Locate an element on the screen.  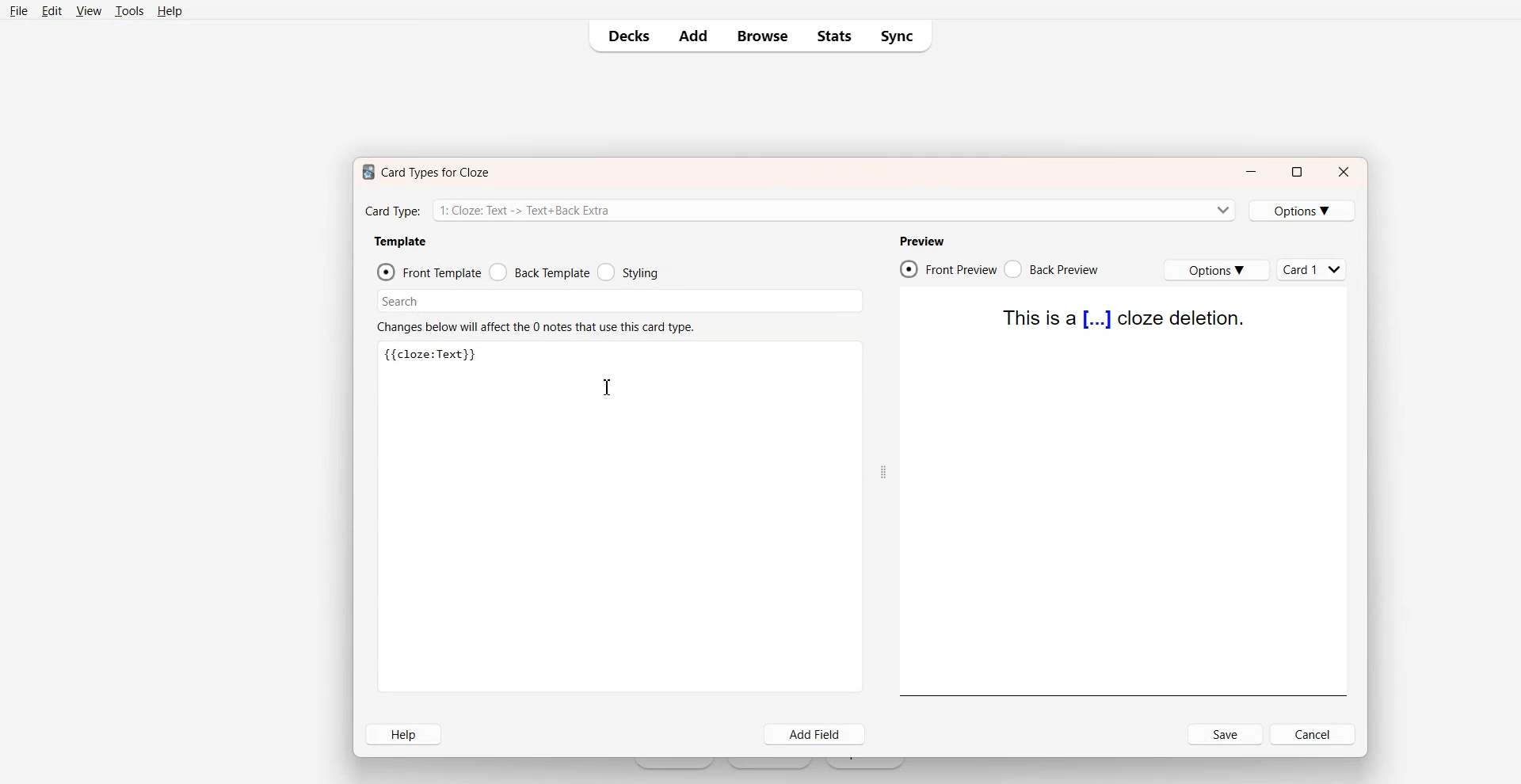
Text 1 is located at coordinates (422, 172).